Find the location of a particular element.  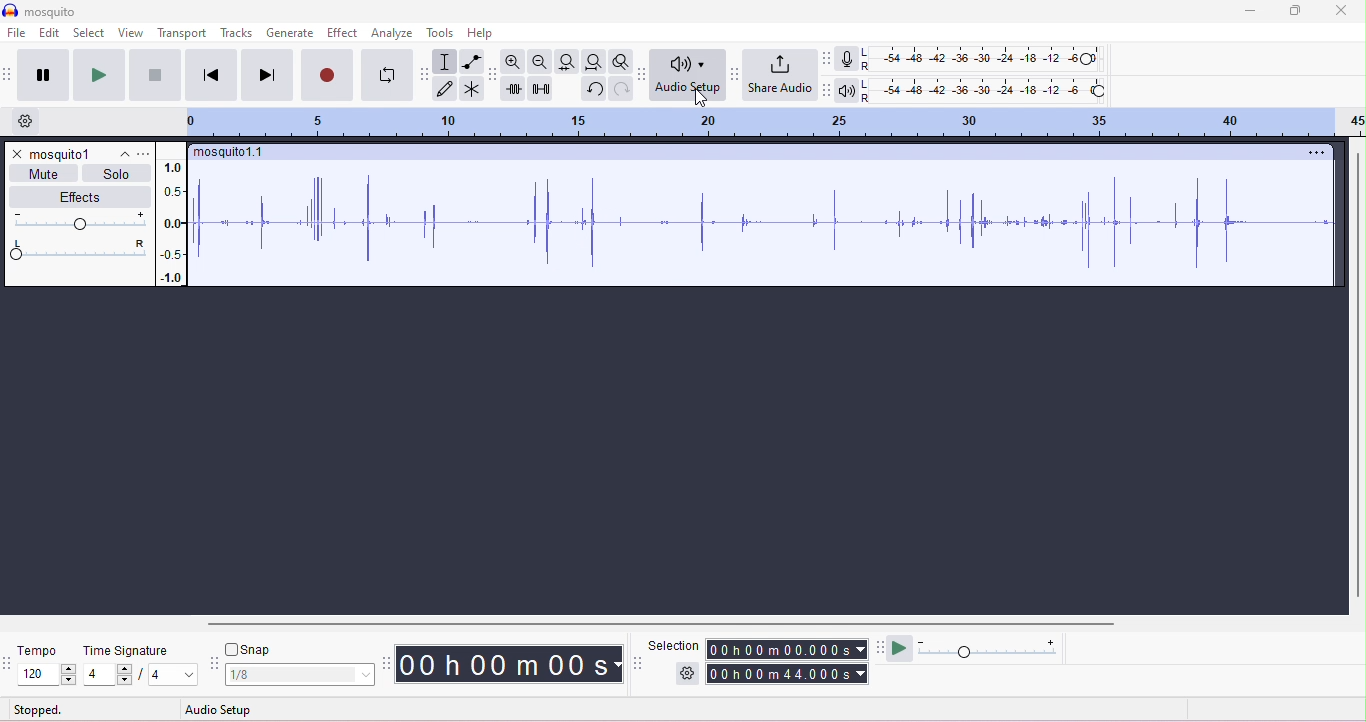

play at speed tool bar is located at coordinates (883, 646).